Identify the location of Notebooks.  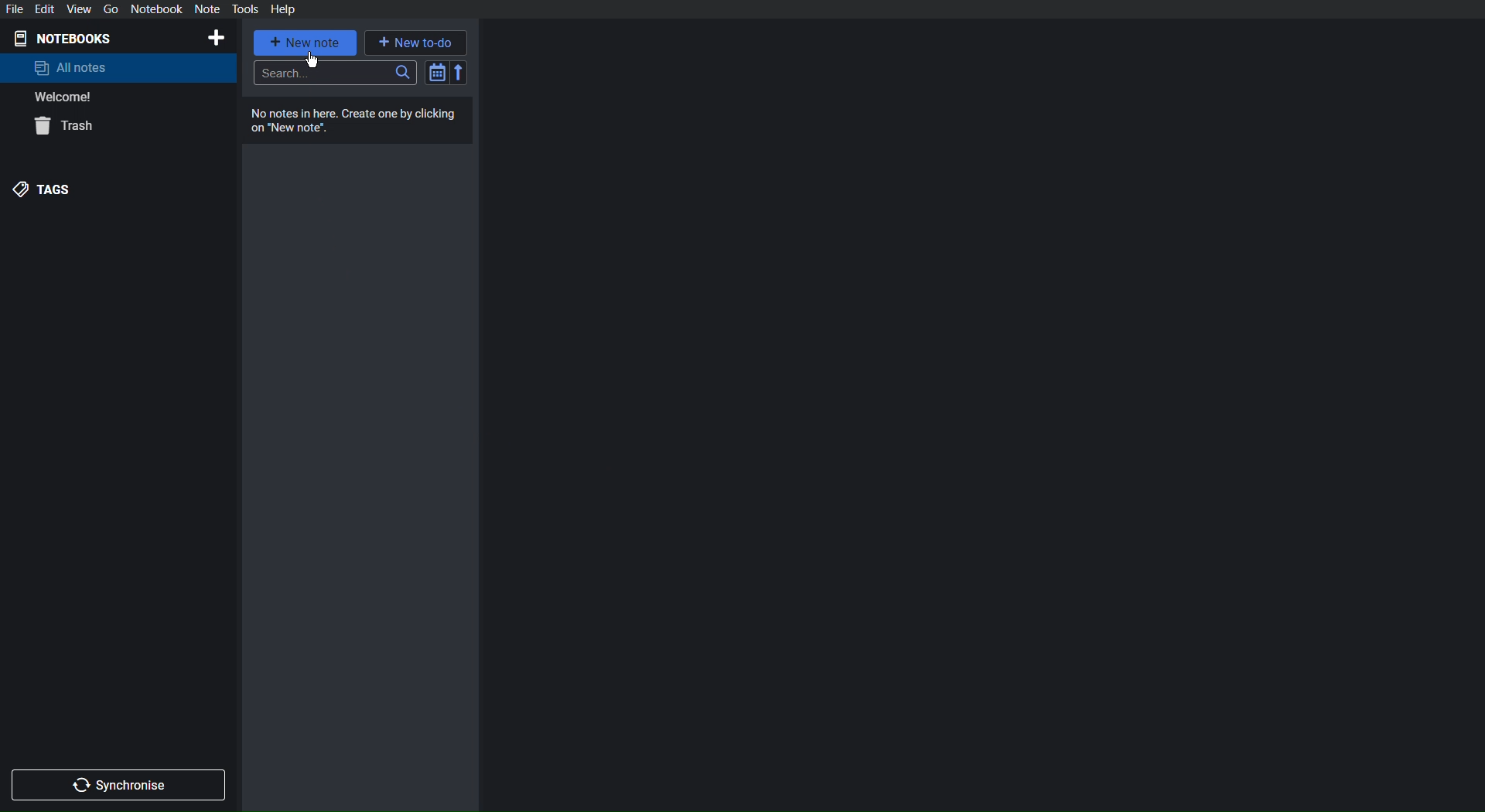
(70, 37).